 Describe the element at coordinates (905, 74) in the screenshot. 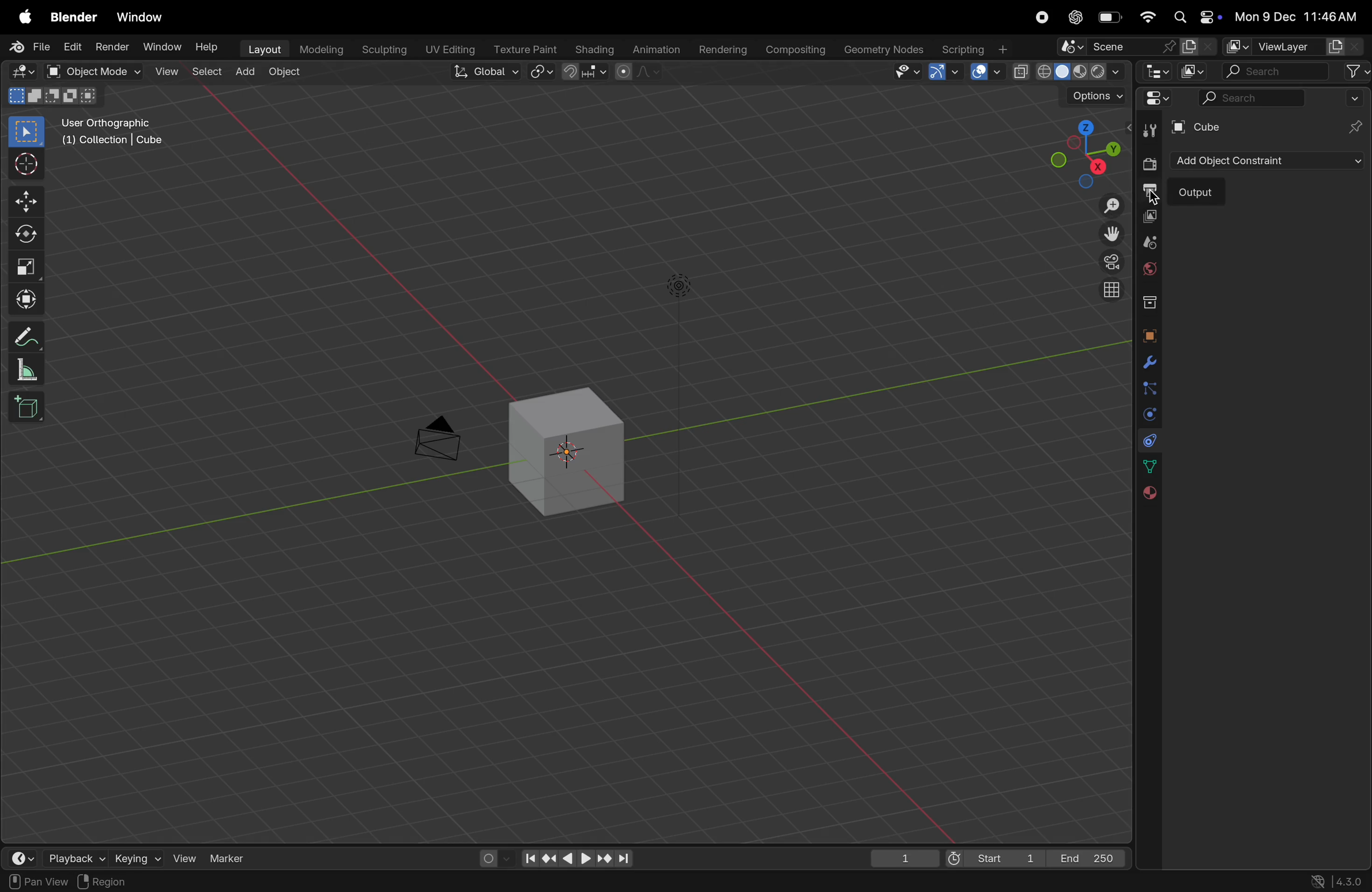

I see `visibility` at that location.